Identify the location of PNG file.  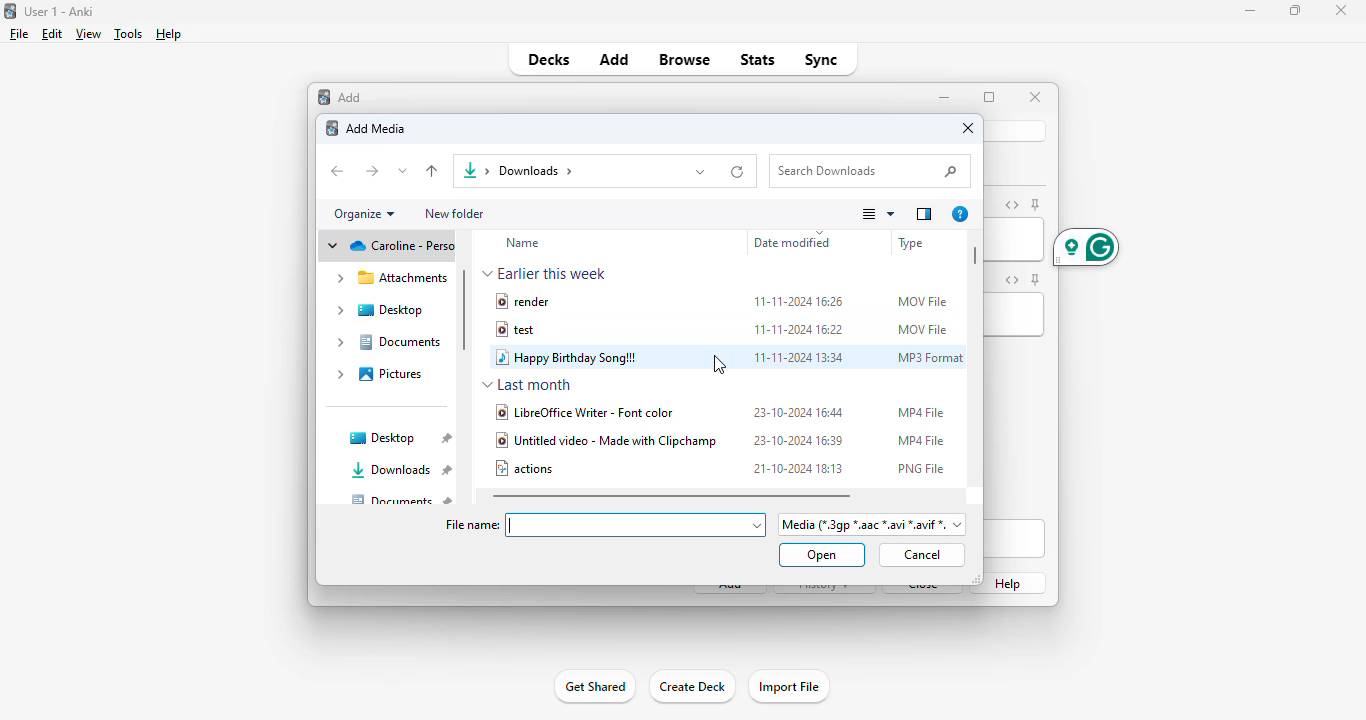
(921, 469).